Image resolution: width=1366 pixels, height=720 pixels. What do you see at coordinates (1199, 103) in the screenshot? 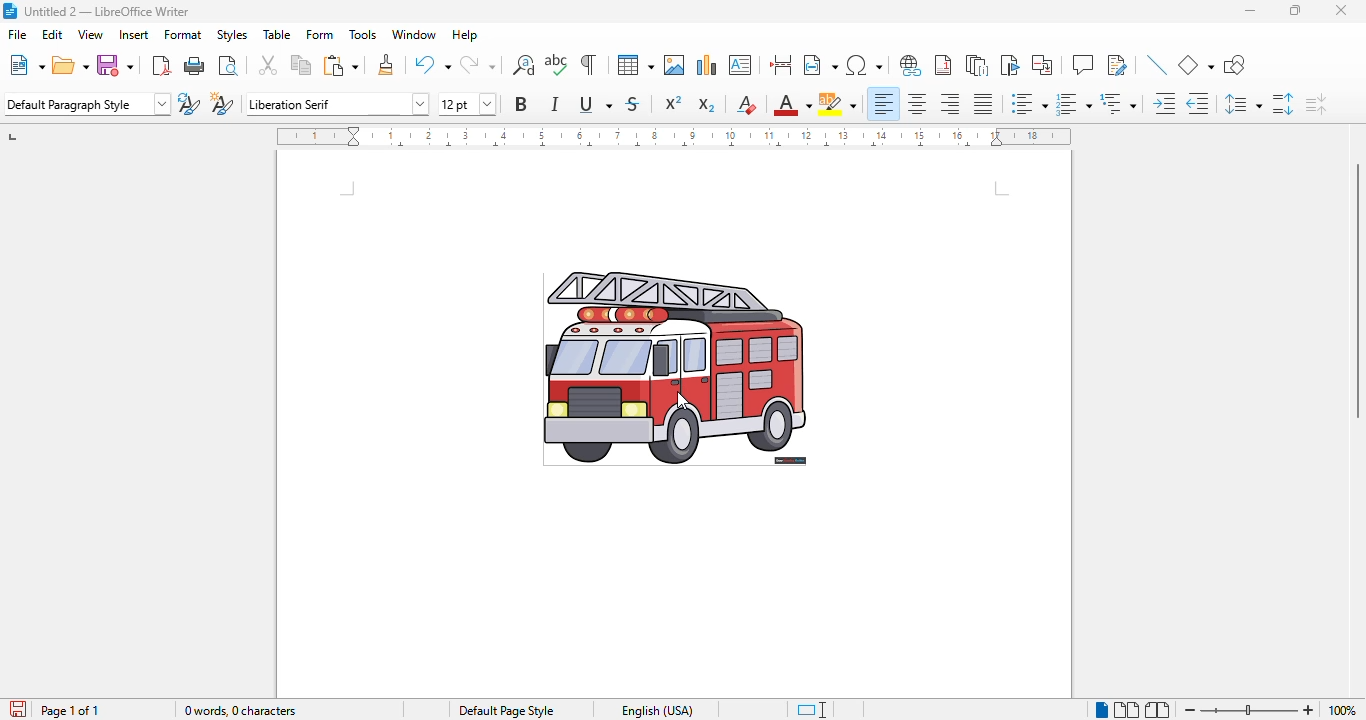
I see `decrease indent` at bounding box center [1199, 103].